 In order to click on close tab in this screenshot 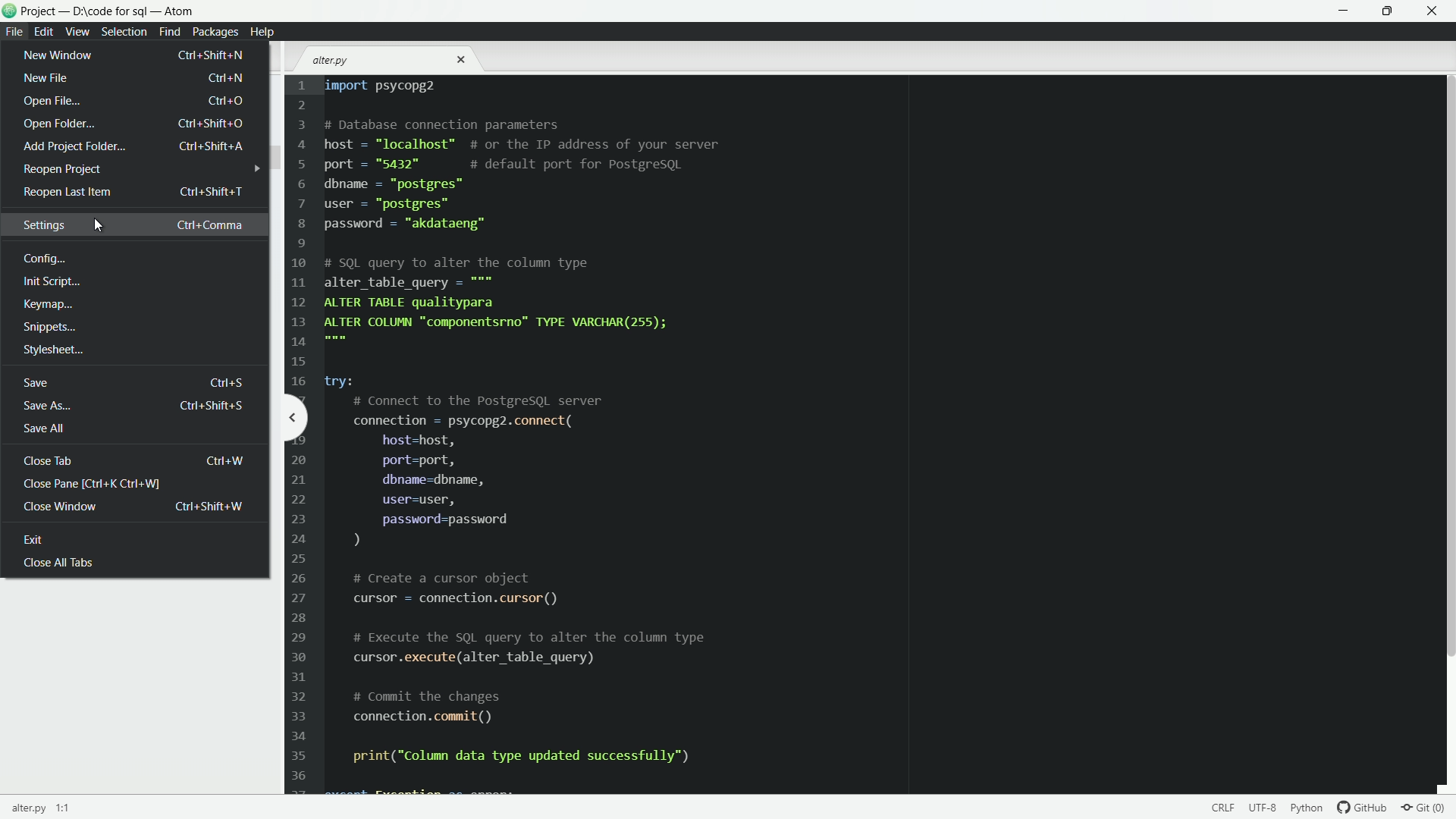, I will do `click(135, 460)`.